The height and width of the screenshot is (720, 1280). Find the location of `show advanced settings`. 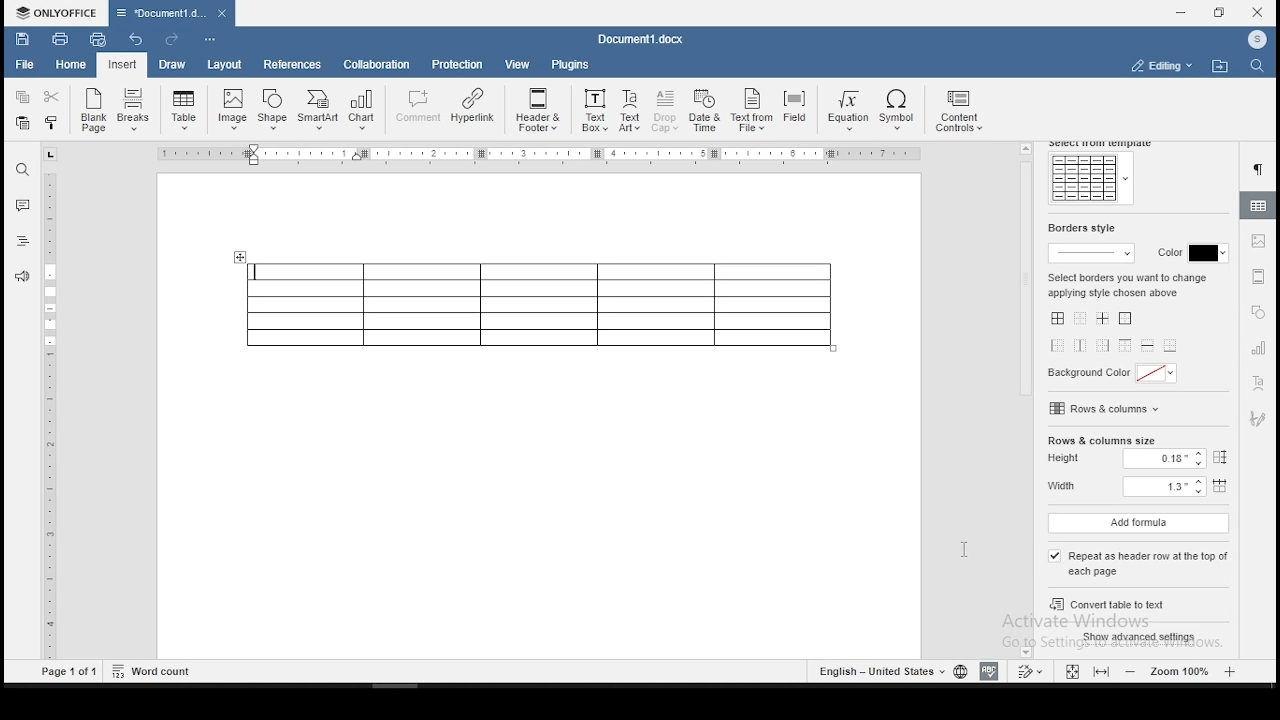

show advanced settings is located at coordinates (1142, 638).